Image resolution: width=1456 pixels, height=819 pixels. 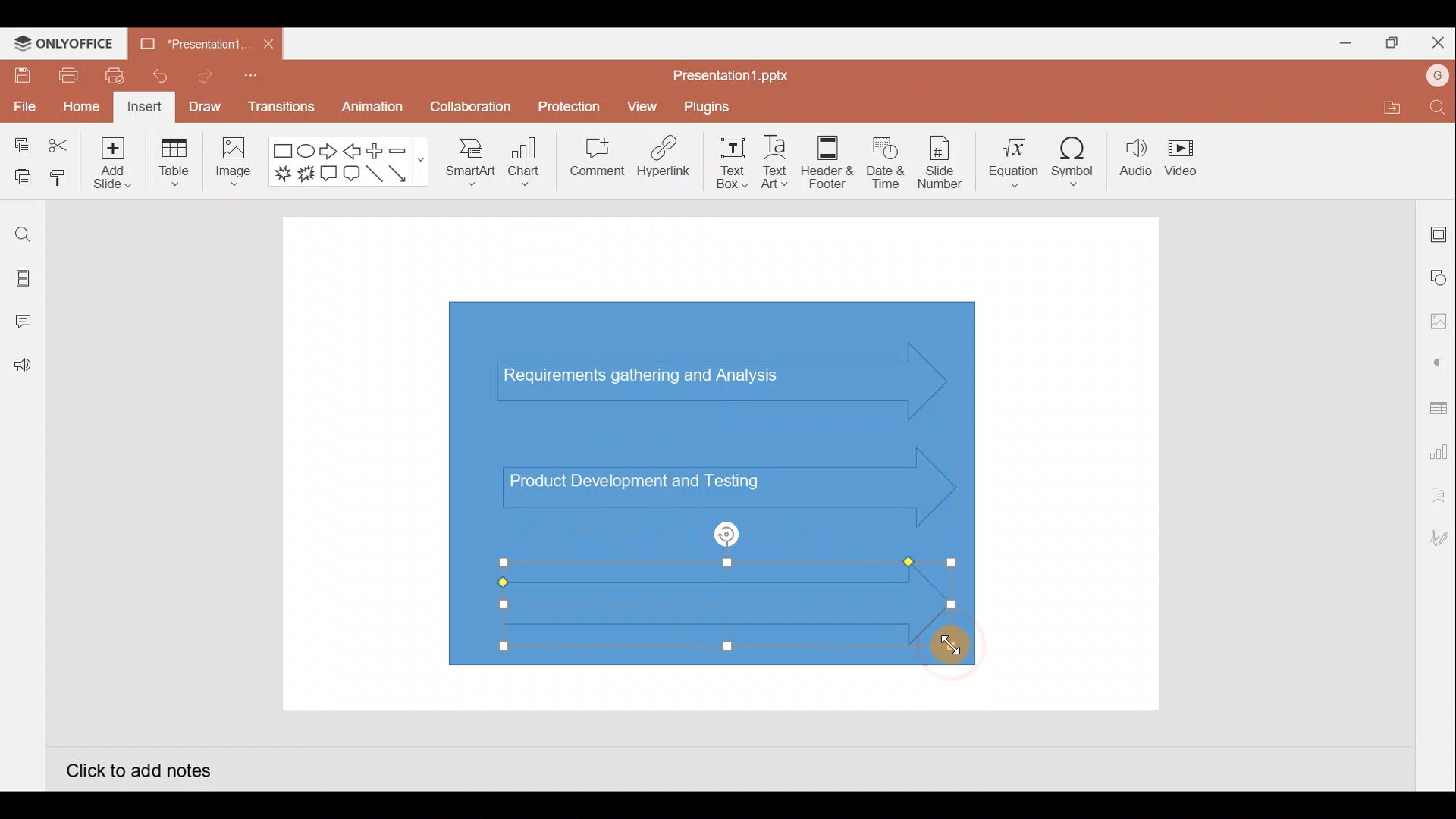 What do you see at coordinates (469, 113) in the screenshot?
I see `Collaboration` at bounding box center [469, 113].